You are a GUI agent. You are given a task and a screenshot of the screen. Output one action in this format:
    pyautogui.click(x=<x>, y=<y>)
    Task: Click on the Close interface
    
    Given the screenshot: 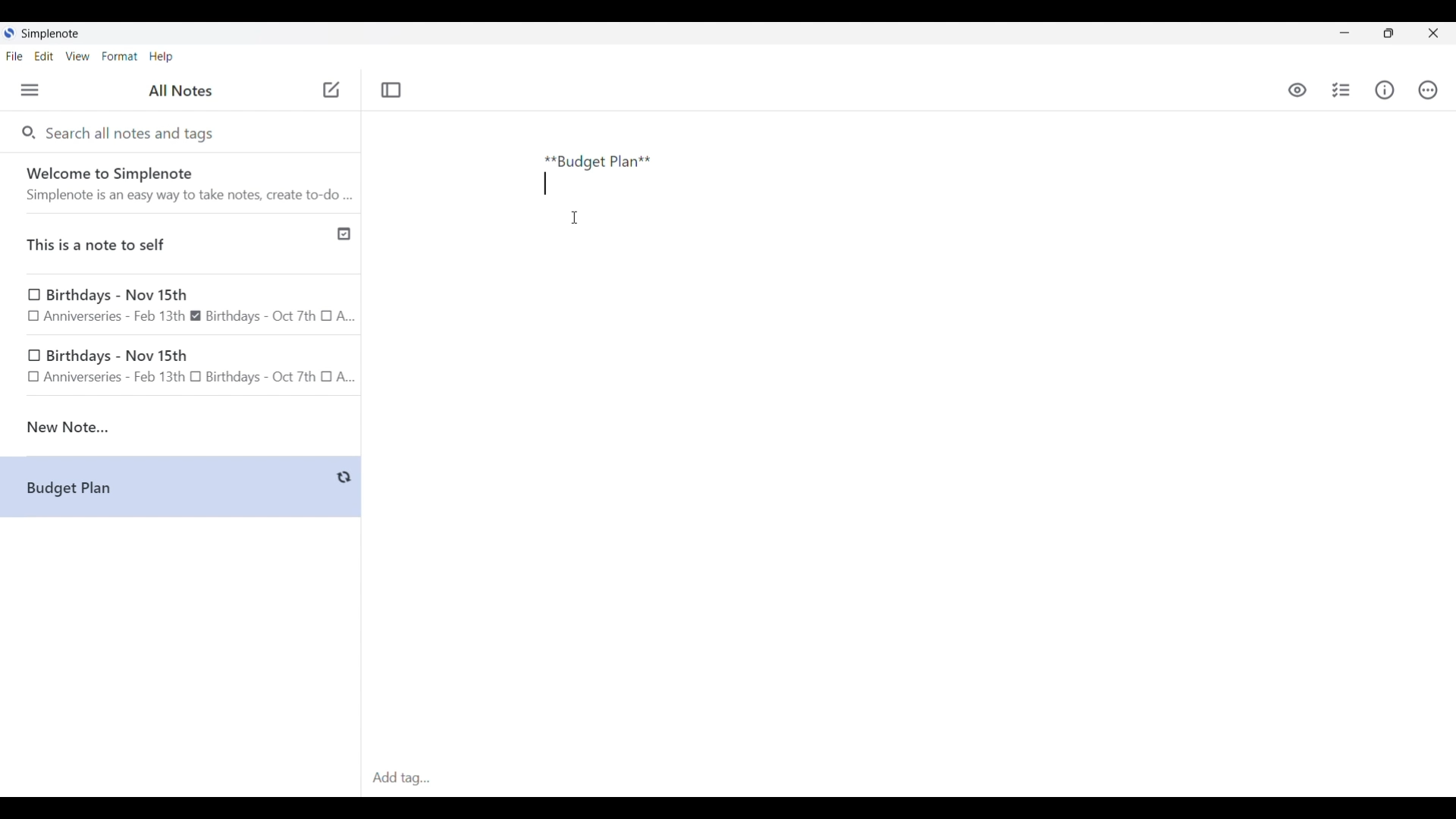 What is the action you would take?
    pyautogui.click(x=1433, y=33)
    